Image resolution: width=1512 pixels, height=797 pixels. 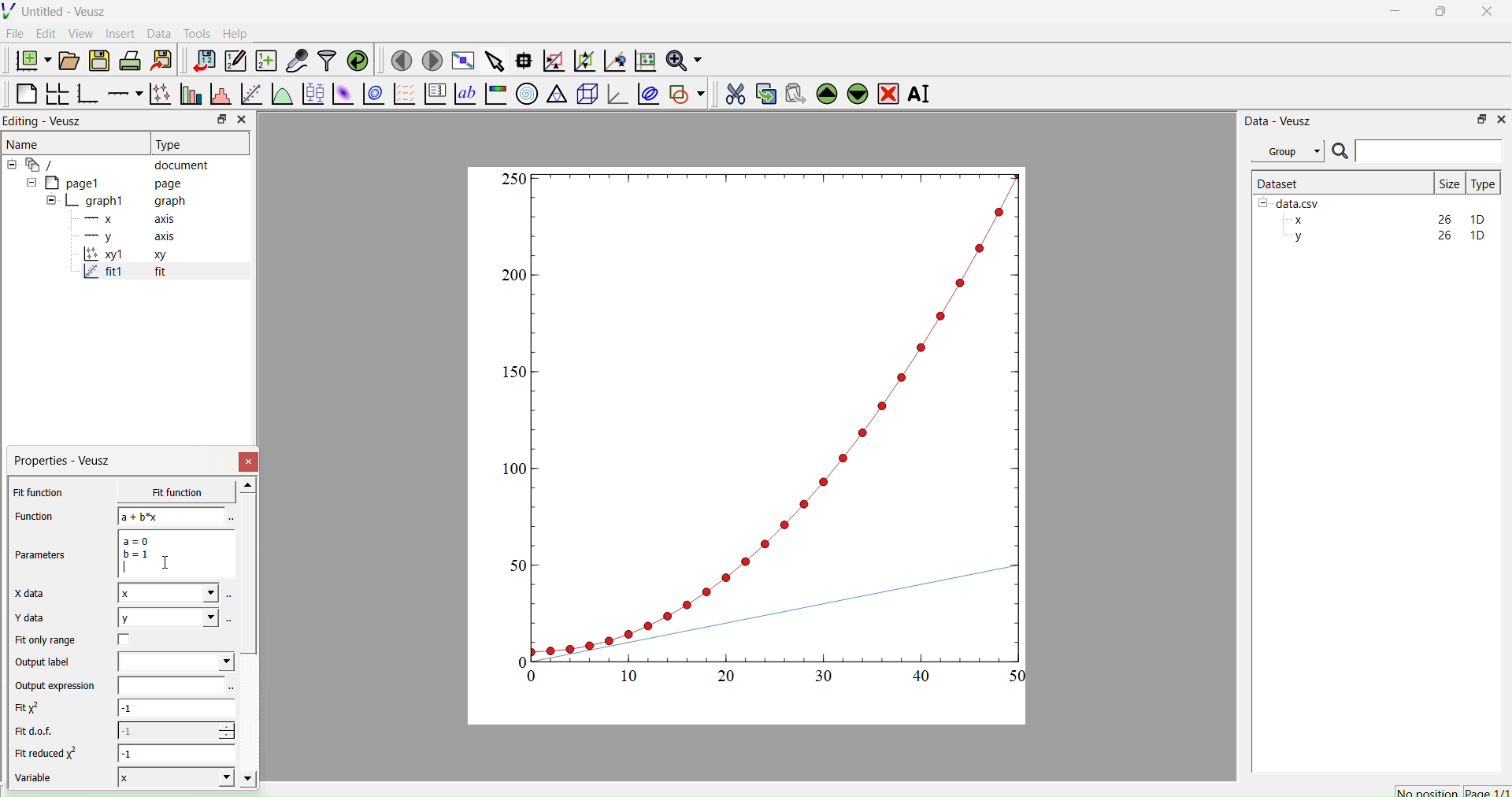 What do you see at coordinates (313, 94) in the screenshot?
I see `Plot box plots` at bounding box center [313, 94].